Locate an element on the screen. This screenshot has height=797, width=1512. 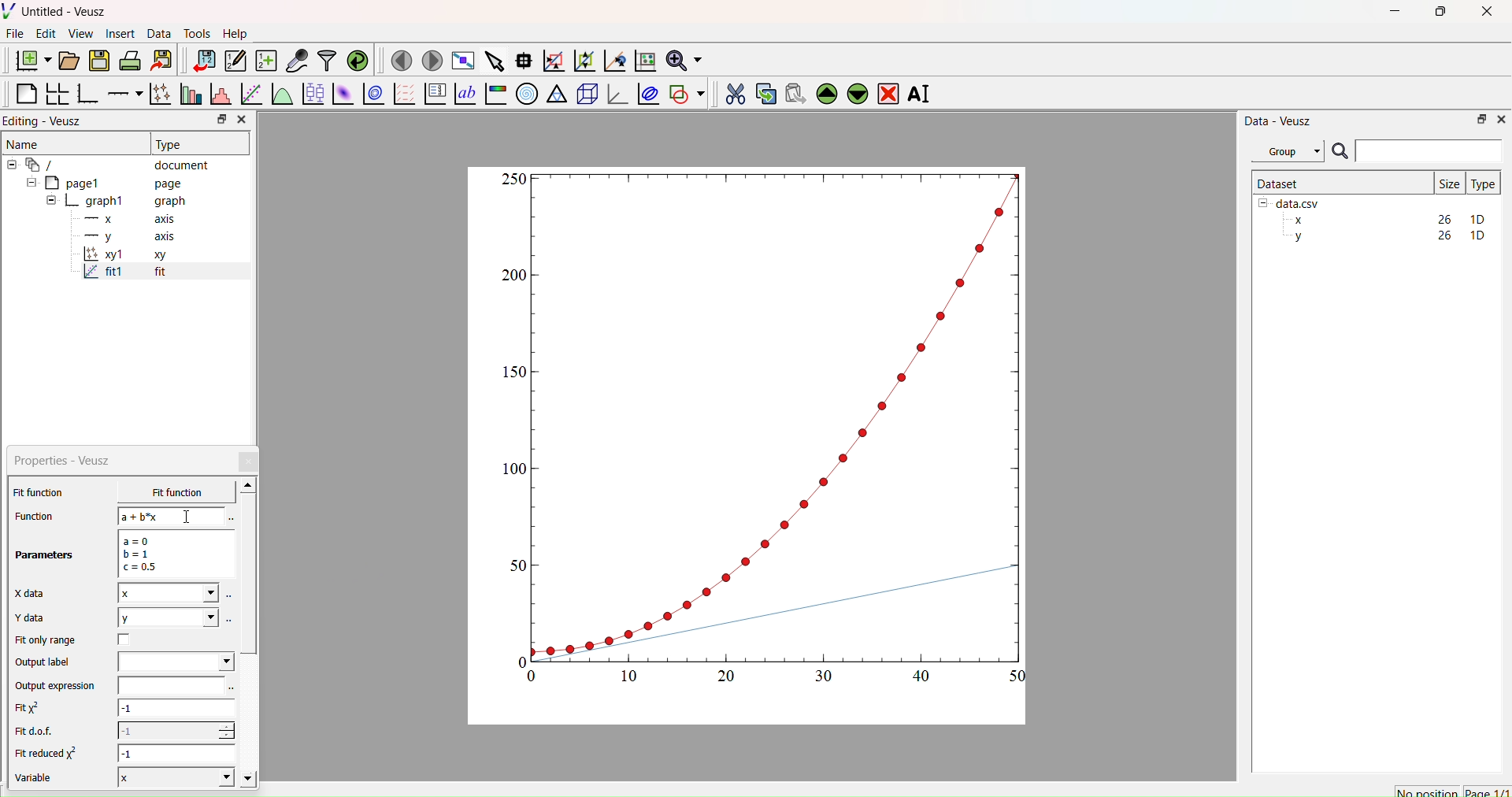
View is located at coordinates (80, 32).